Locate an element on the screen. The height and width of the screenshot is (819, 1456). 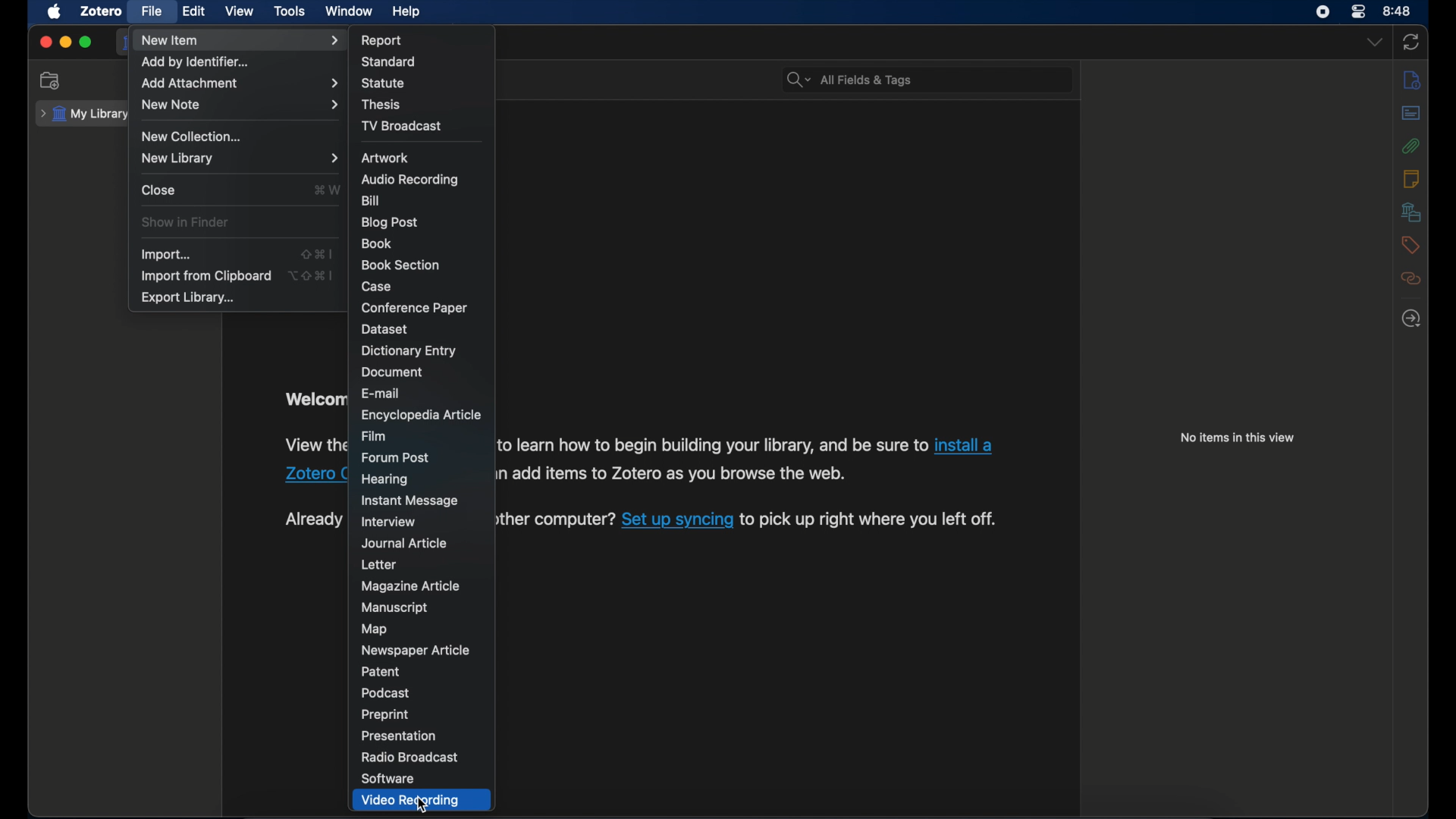
import from clipboard is located at coordinates (205, 275).